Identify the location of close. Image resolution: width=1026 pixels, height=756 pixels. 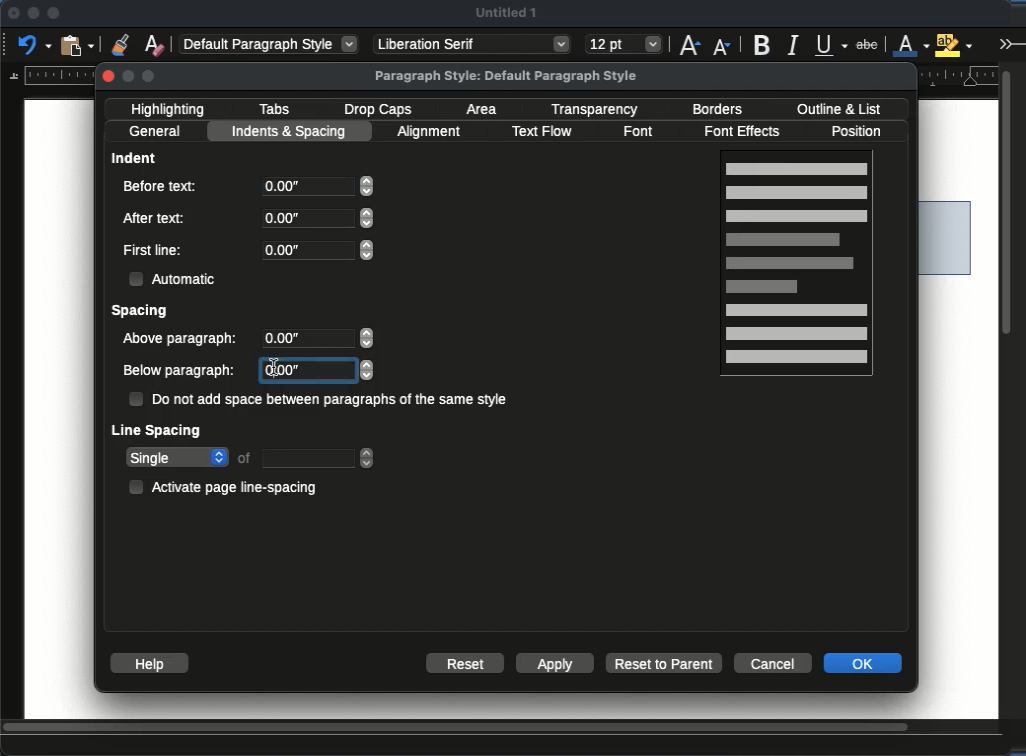
(110, 76).